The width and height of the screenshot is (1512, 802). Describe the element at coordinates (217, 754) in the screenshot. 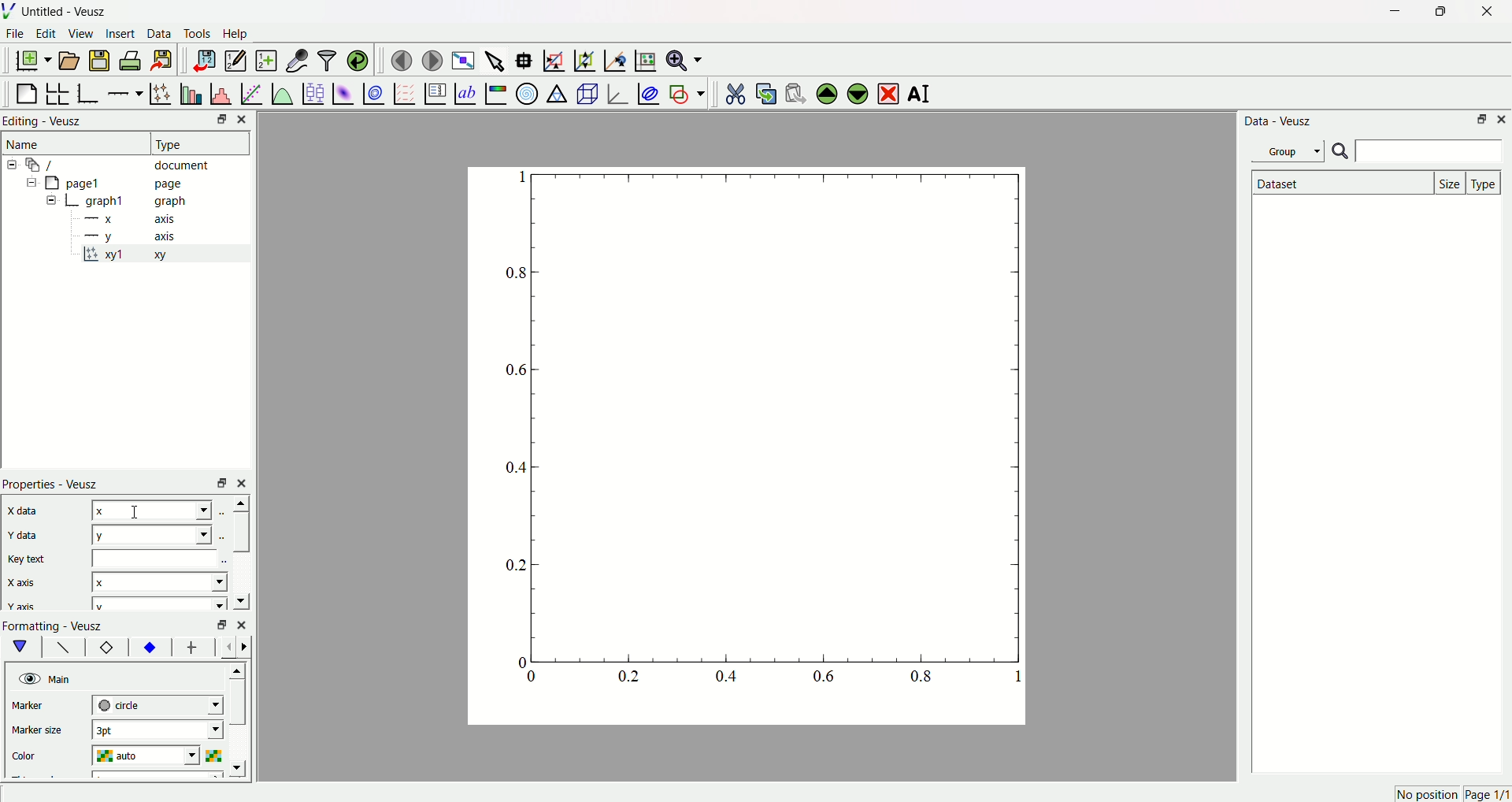

I see `select color` at that location.